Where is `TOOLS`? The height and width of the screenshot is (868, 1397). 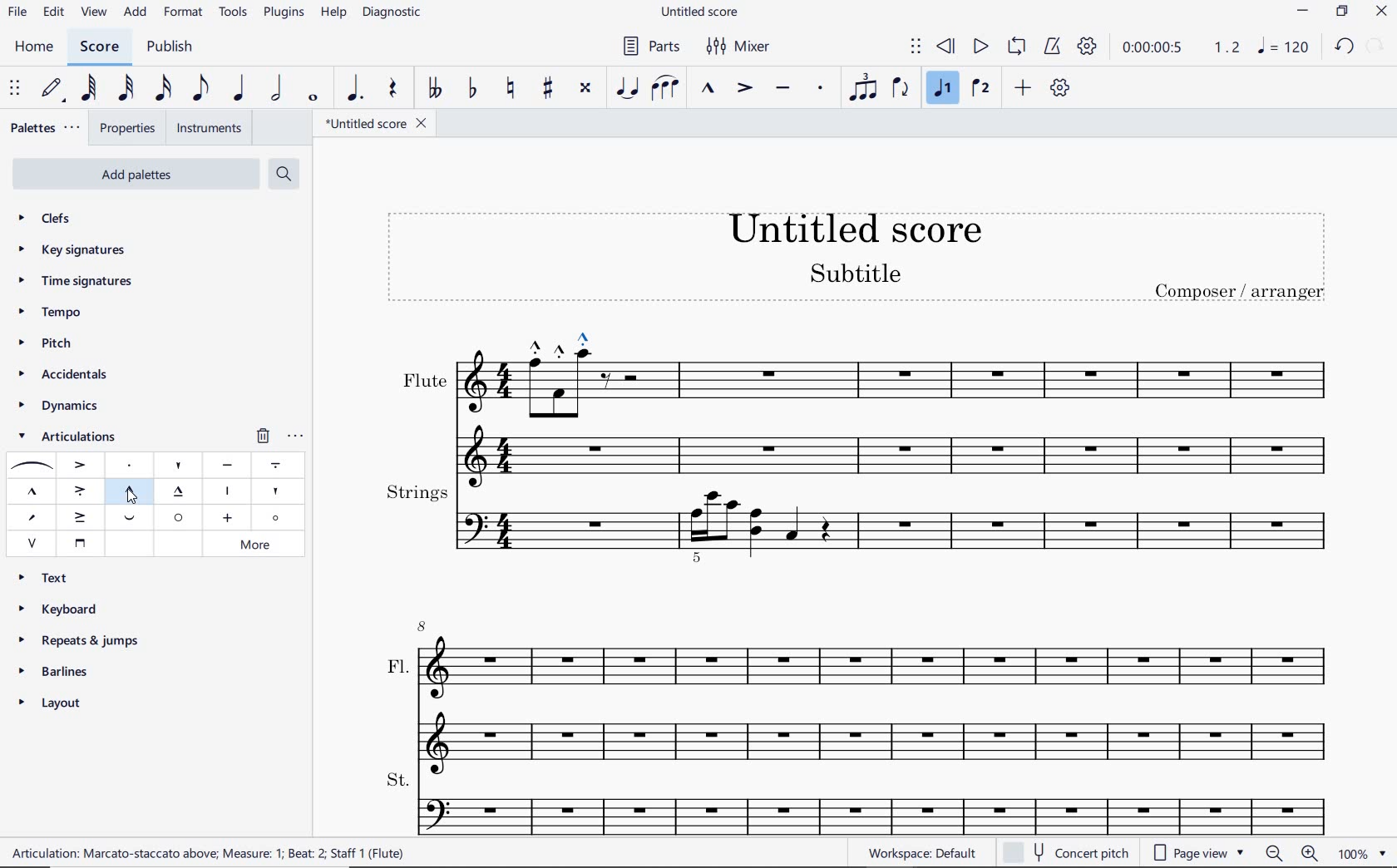 TOOLS is located at coordinates (234, 13).